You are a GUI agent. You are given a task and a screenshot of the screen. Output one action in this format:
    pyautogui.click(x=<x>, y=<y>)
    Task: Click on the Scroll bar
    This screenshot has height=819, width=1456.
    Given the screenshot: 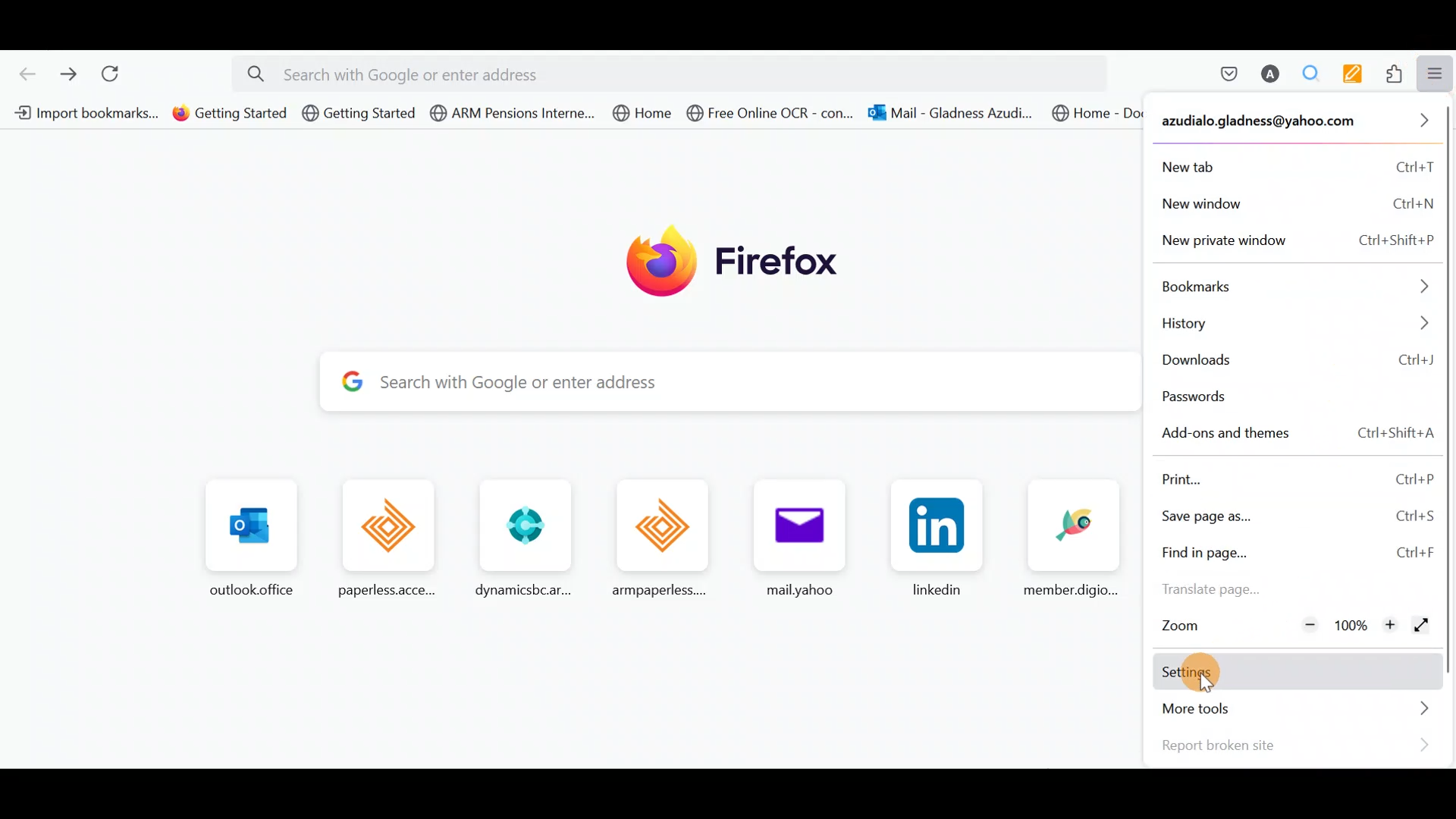 What is the action you would take?
    pyautogui.click(x=1445, y=438)
    